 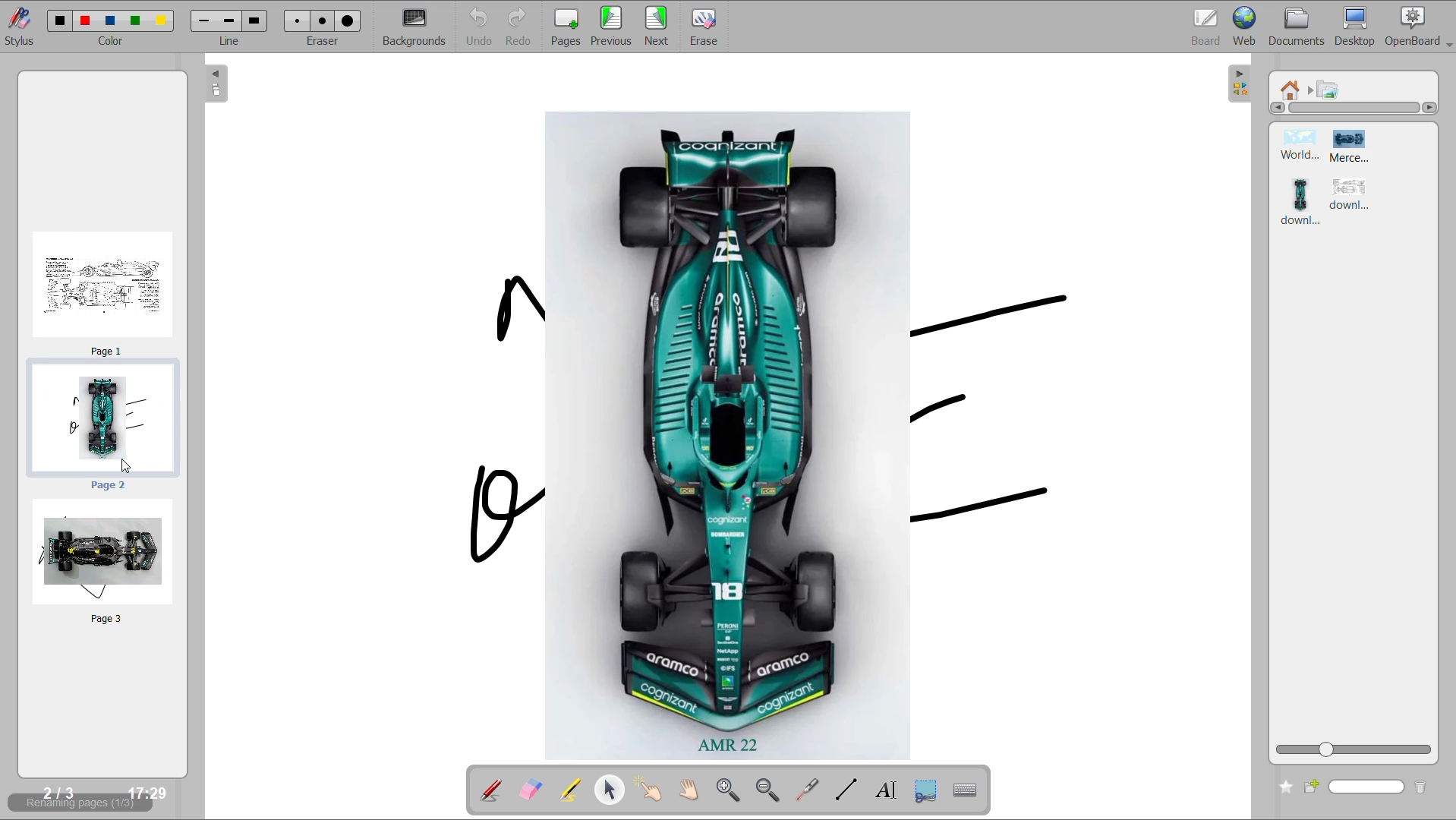 I want to click on color, so click(x=109, y=43).